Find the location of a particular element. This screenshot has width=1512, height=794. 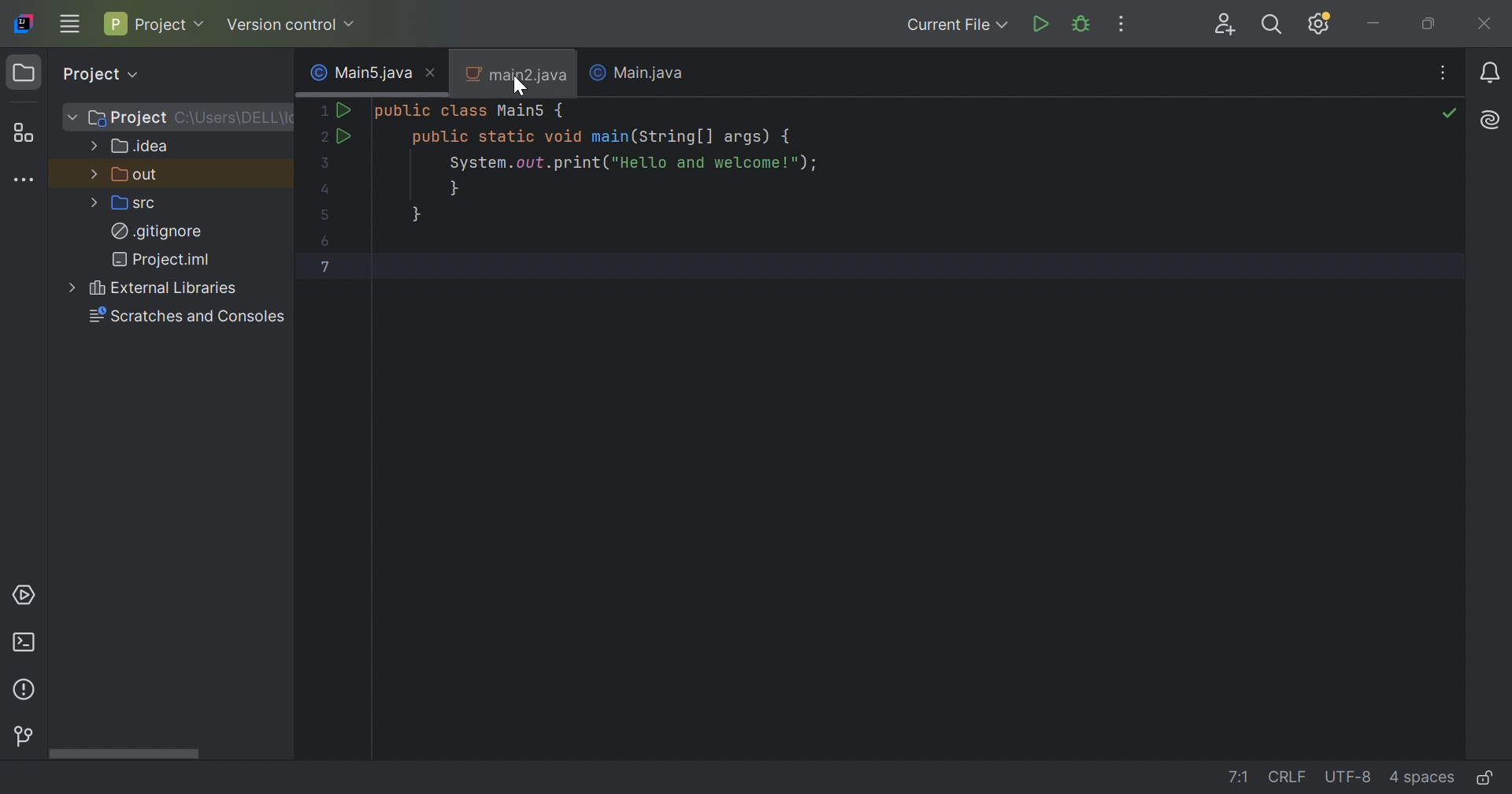

IntelliJ IDEA icon is located at coordinates (23, 21).